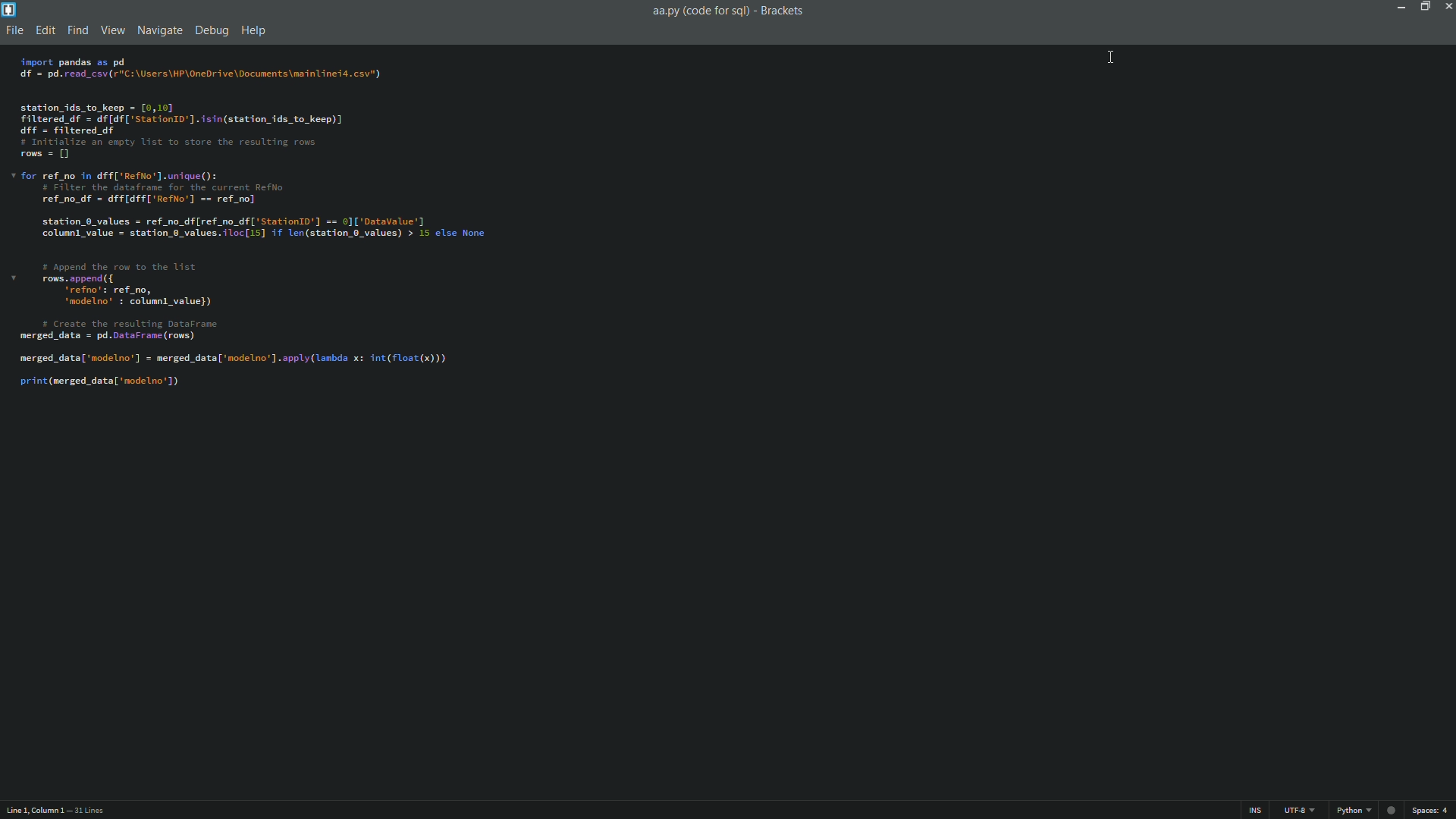 This screenshot has height=819, width=1456. What do you see at coordinates (1109, 58) in the screenshot?
I see `cursor` at bounding box center [1109, 58].